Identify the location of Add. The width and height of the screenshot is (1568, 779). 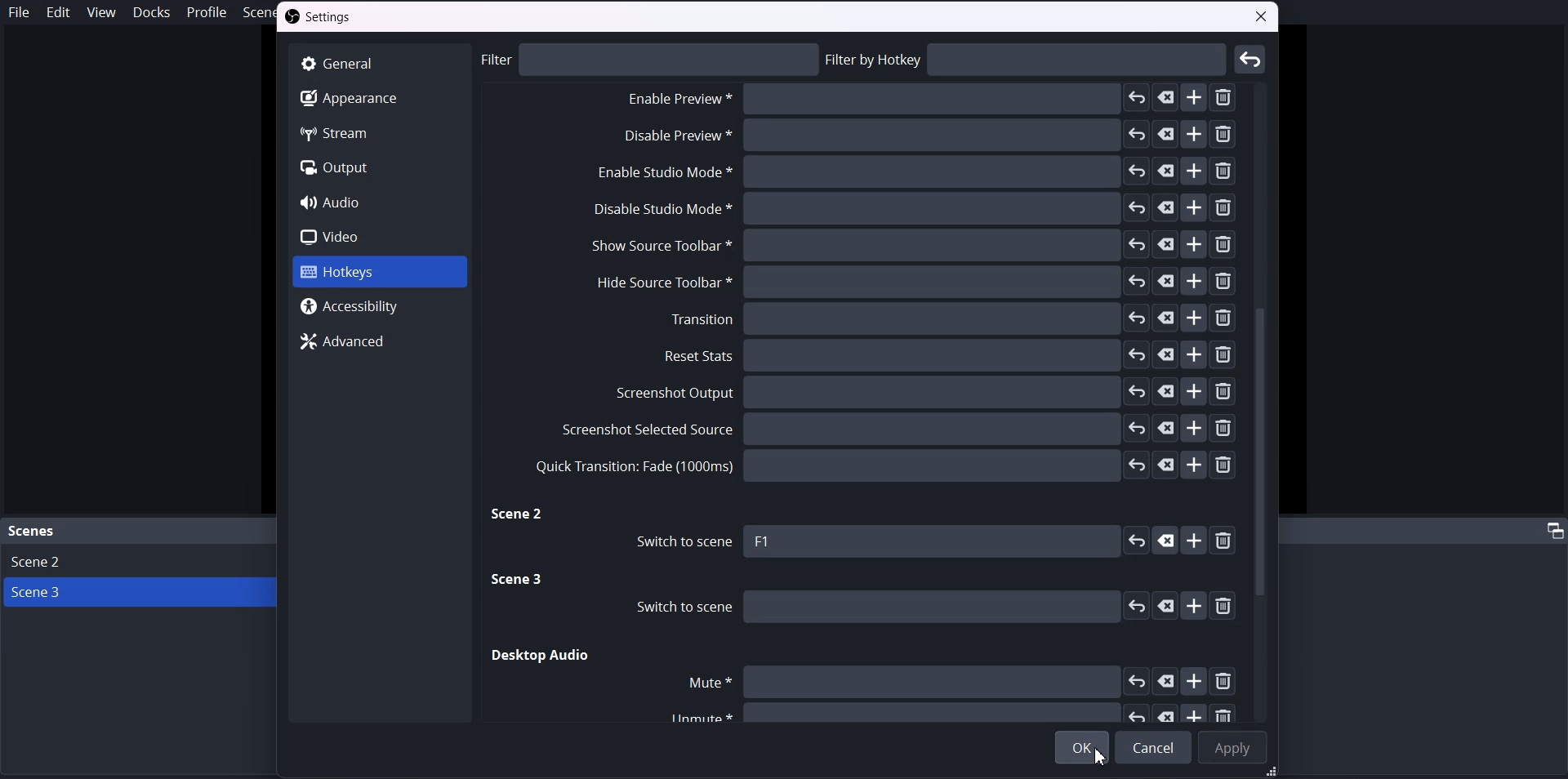
(1196, 541).